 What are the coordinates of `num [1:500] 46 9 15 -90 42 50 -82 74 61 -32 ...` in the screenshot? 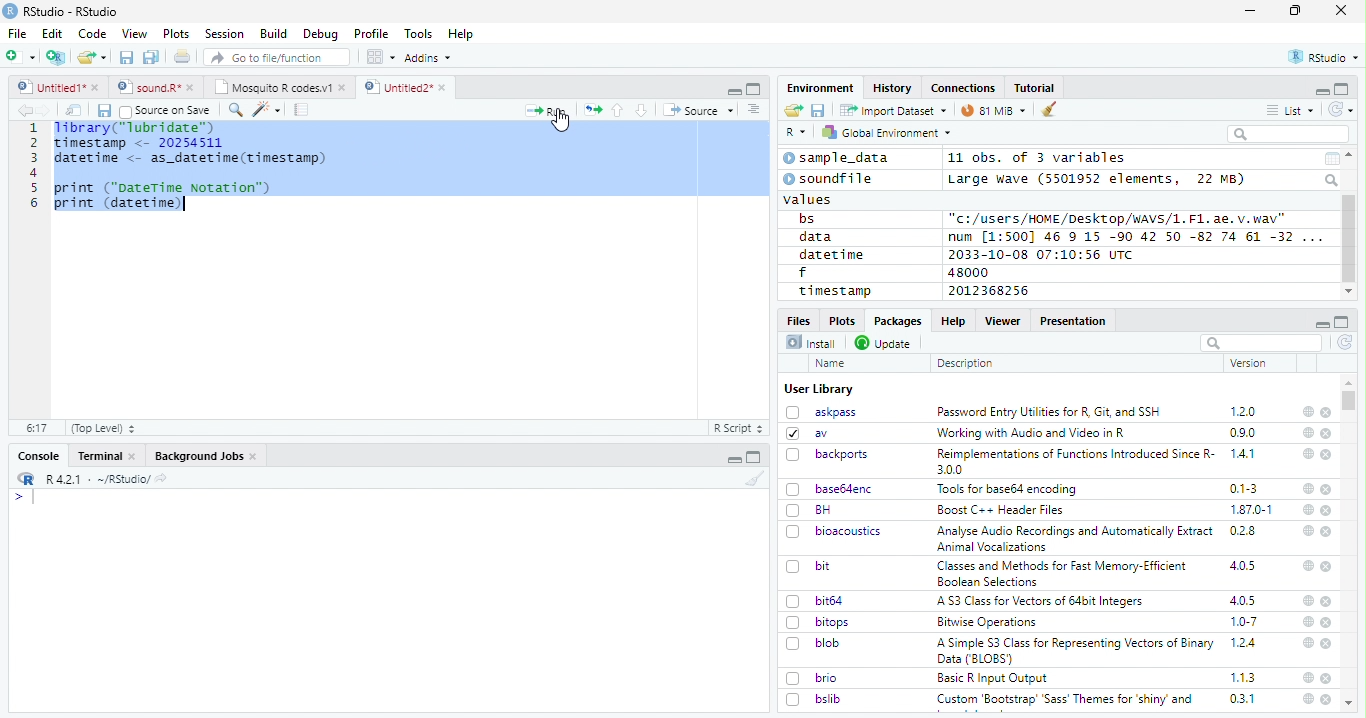 It's located at (1135, 236).